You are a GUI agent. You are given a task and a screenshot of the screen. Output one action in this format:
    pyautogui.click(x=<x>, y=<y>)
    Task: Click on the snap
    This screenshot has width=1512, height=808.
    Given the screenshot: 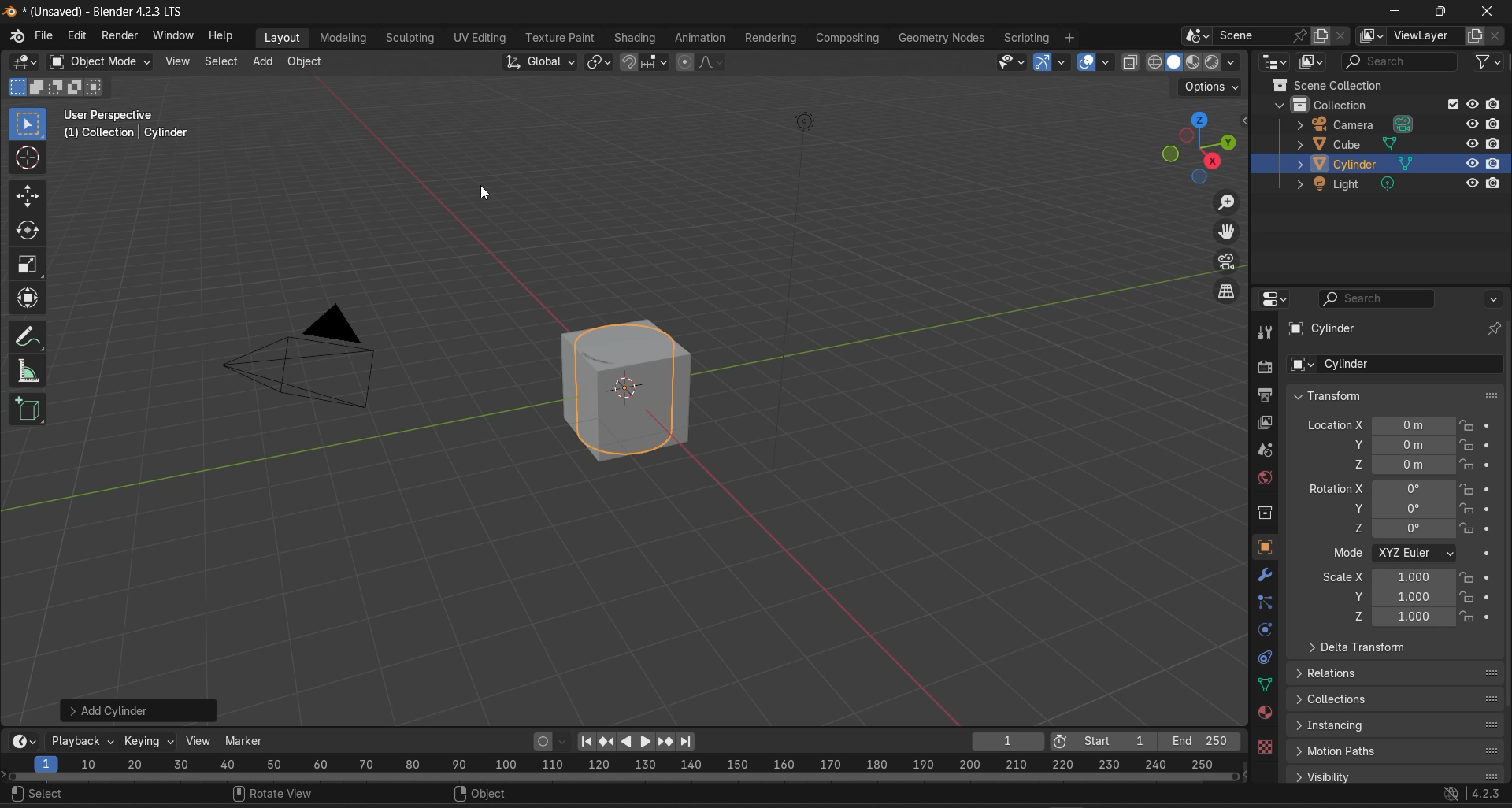 What is the action you would take?
    pyautogui.click(x=631, y=63)
    